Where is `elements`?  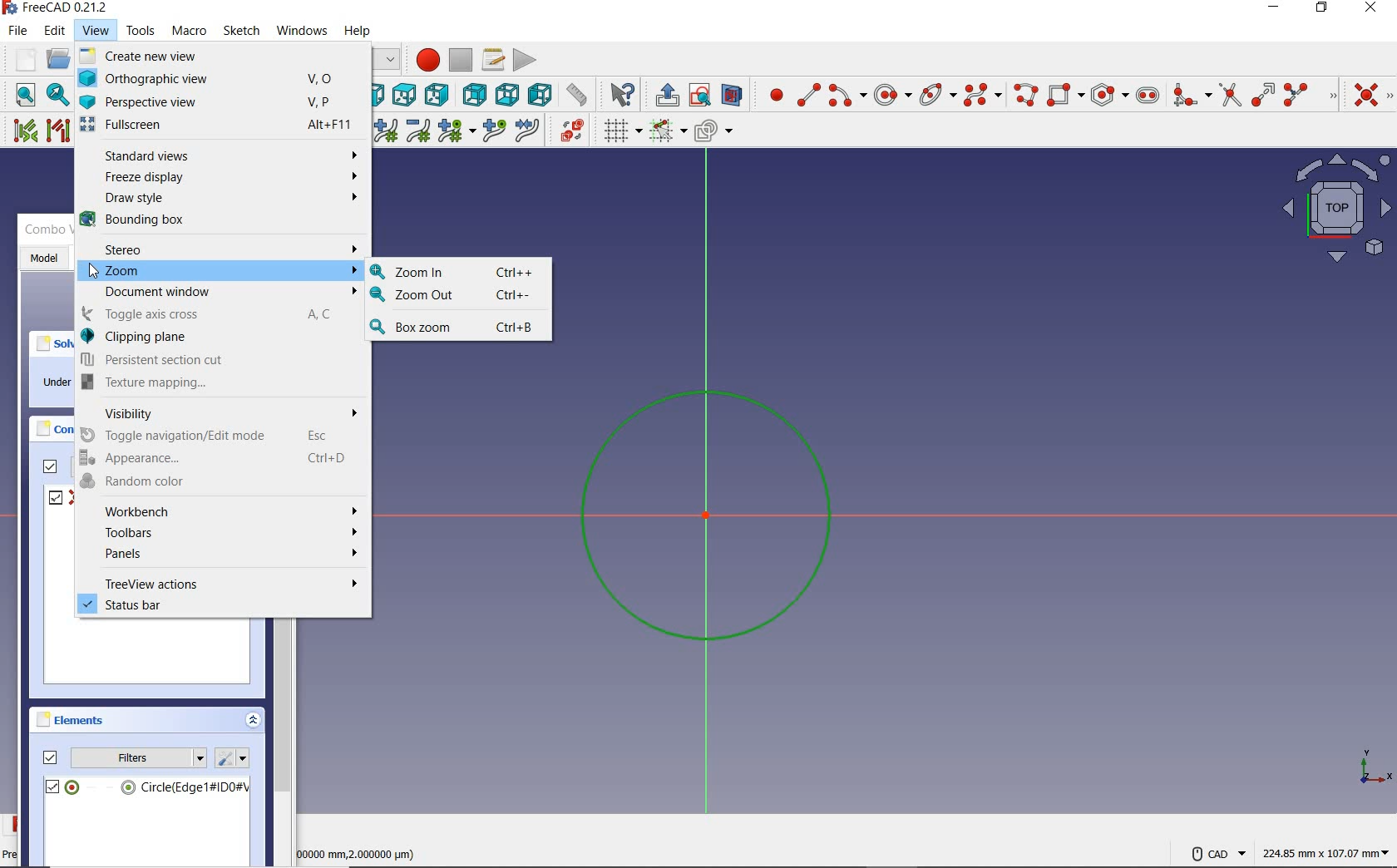
elements is located at coordinates (82, 721).